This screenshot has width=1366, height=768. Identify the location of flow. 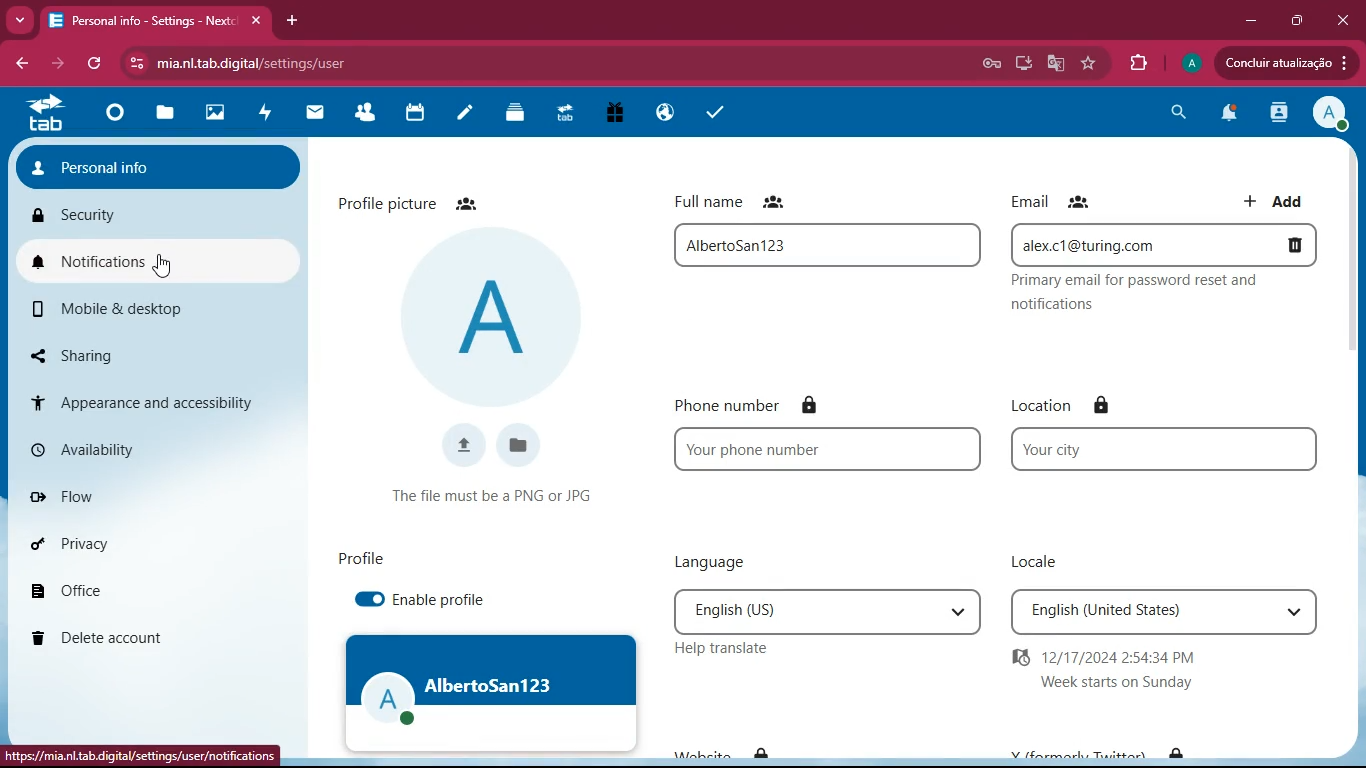
(102, 495).